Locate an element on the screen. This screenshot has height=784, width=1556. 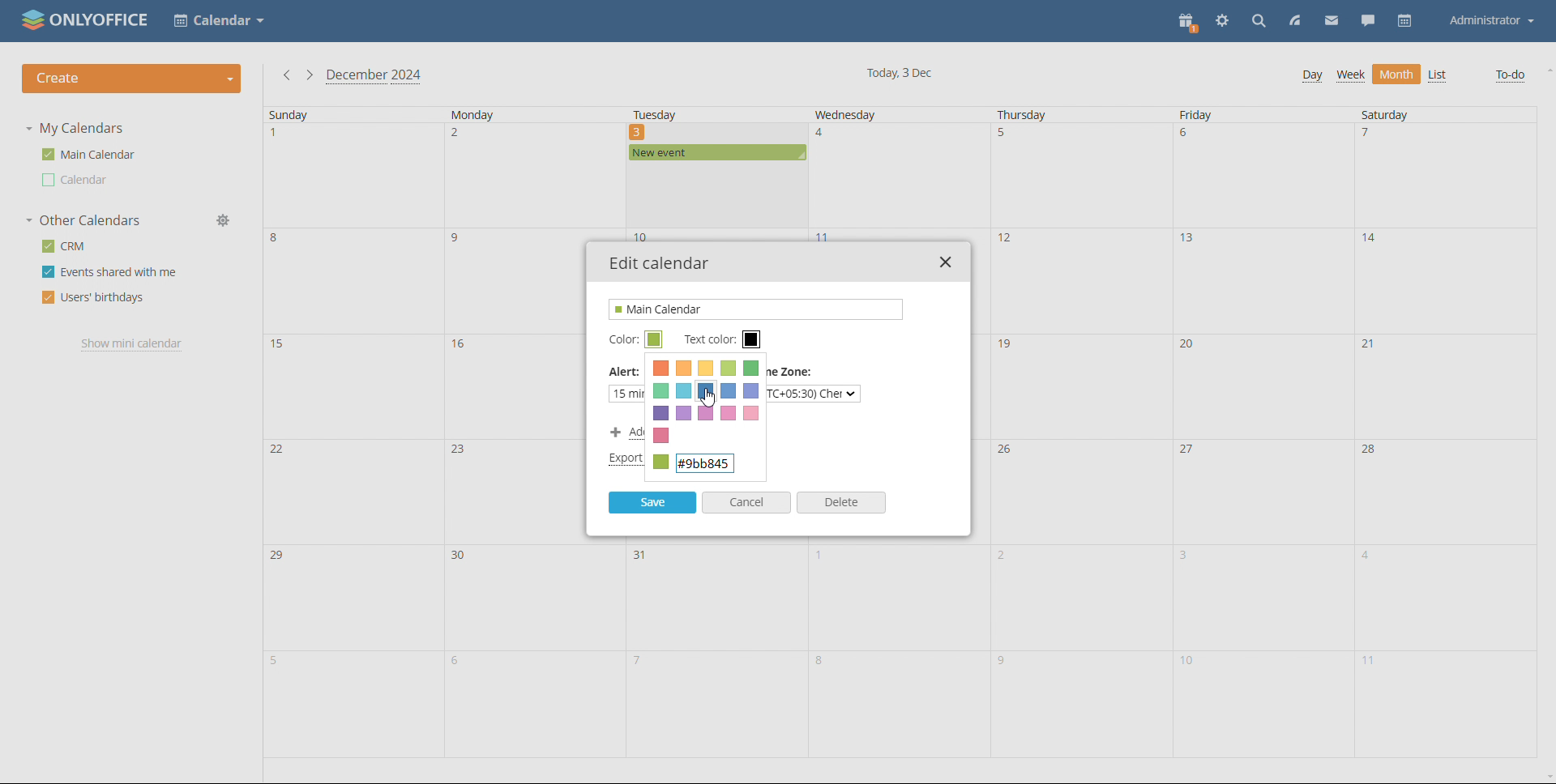
date is located at coordinates (897, 596).